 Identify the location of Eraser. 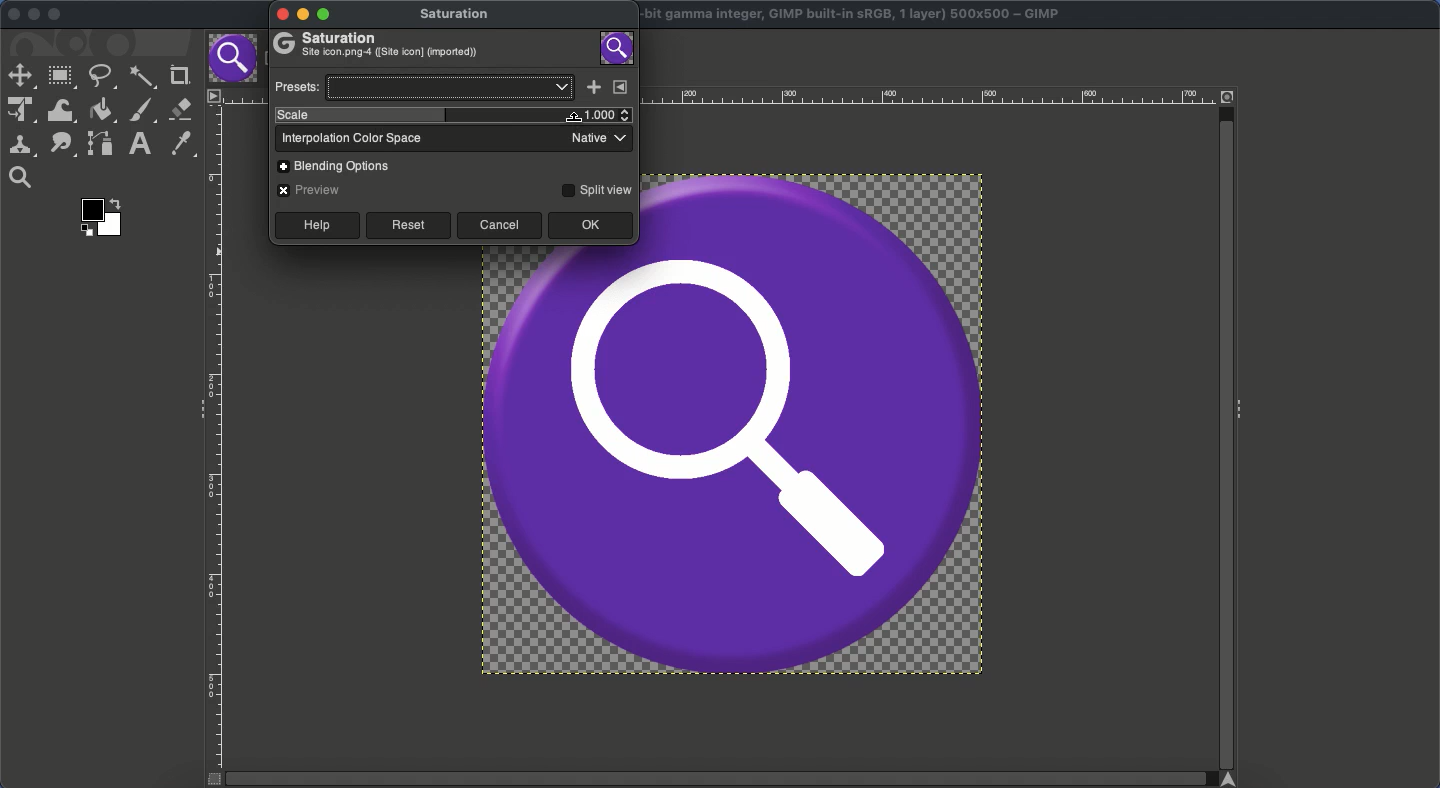
(180, 109).